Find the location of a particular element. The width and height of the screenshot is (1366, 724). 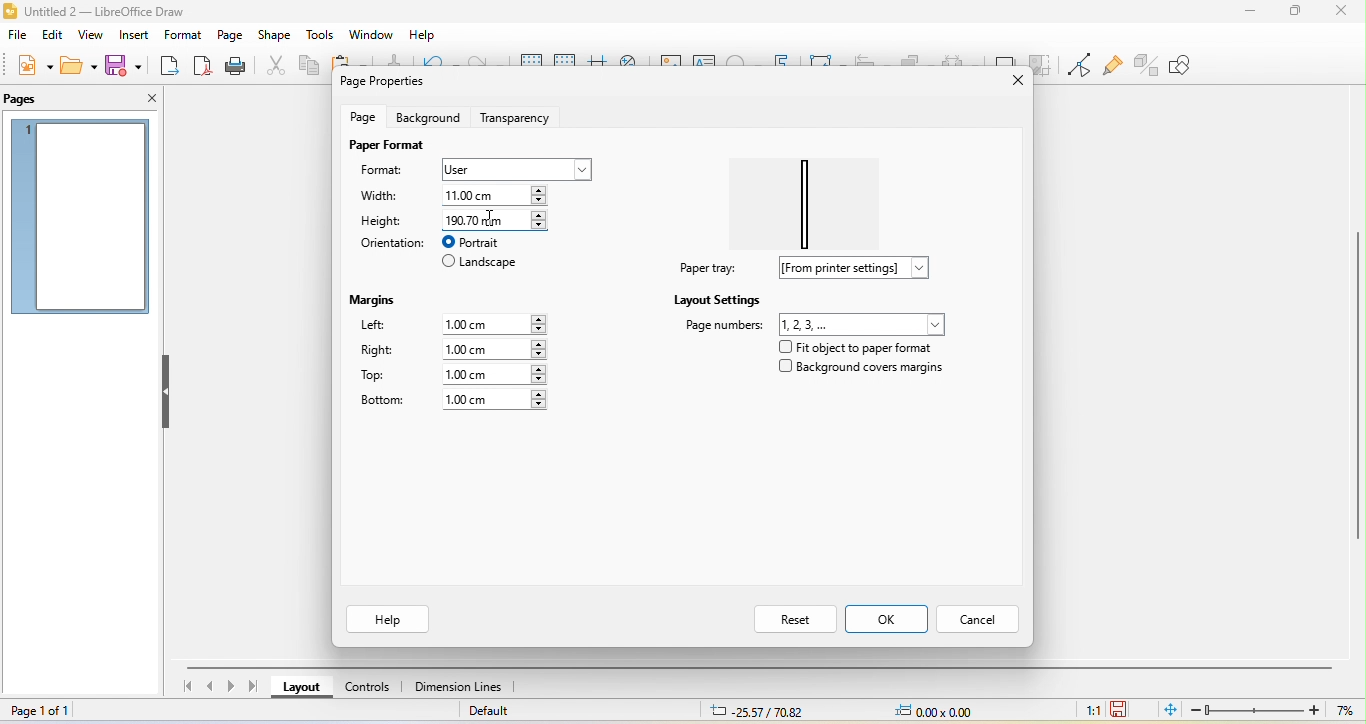

25.57/70.82 is located at coordinates (757, 711).